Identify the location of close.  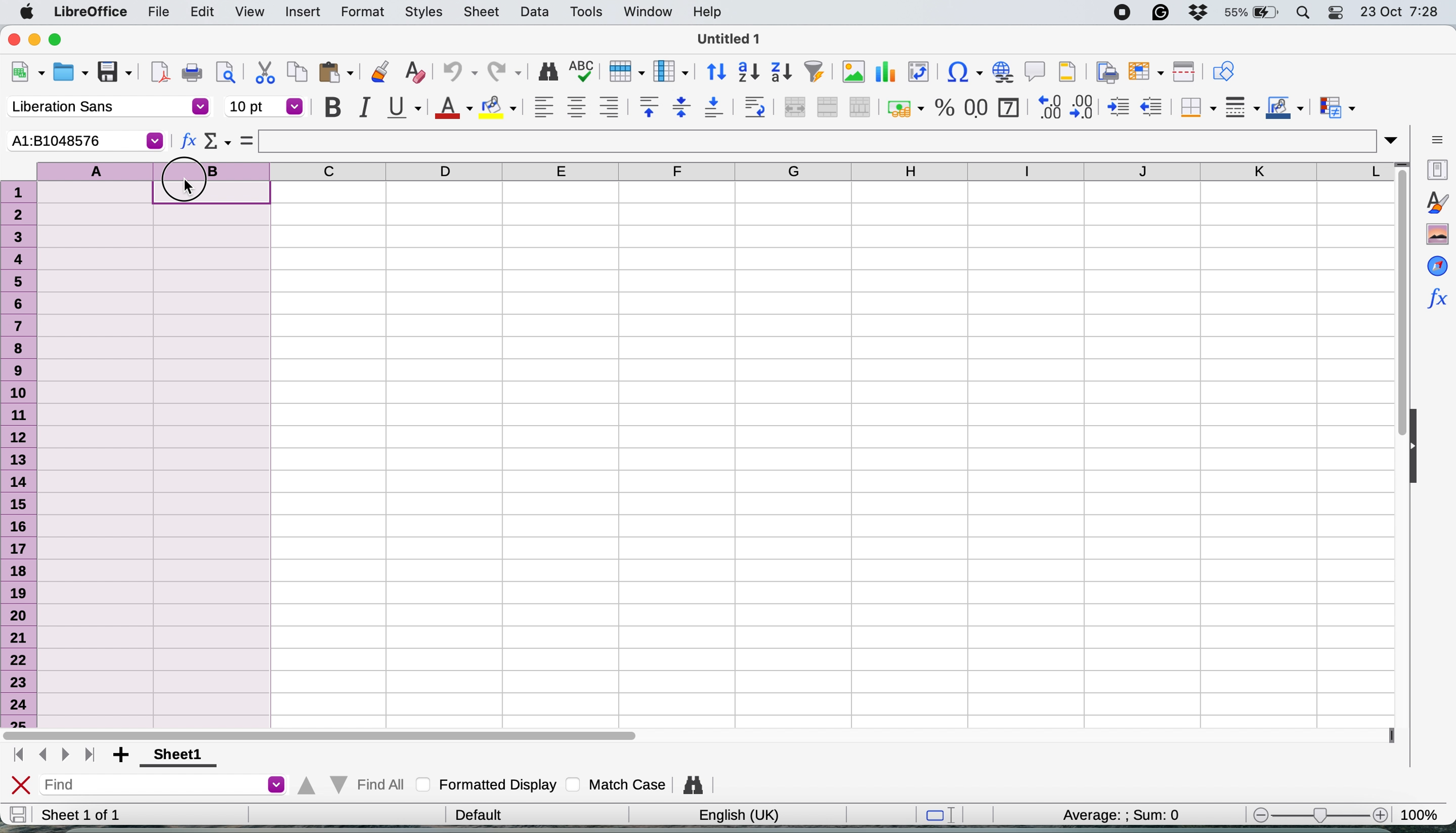
(11, 39).